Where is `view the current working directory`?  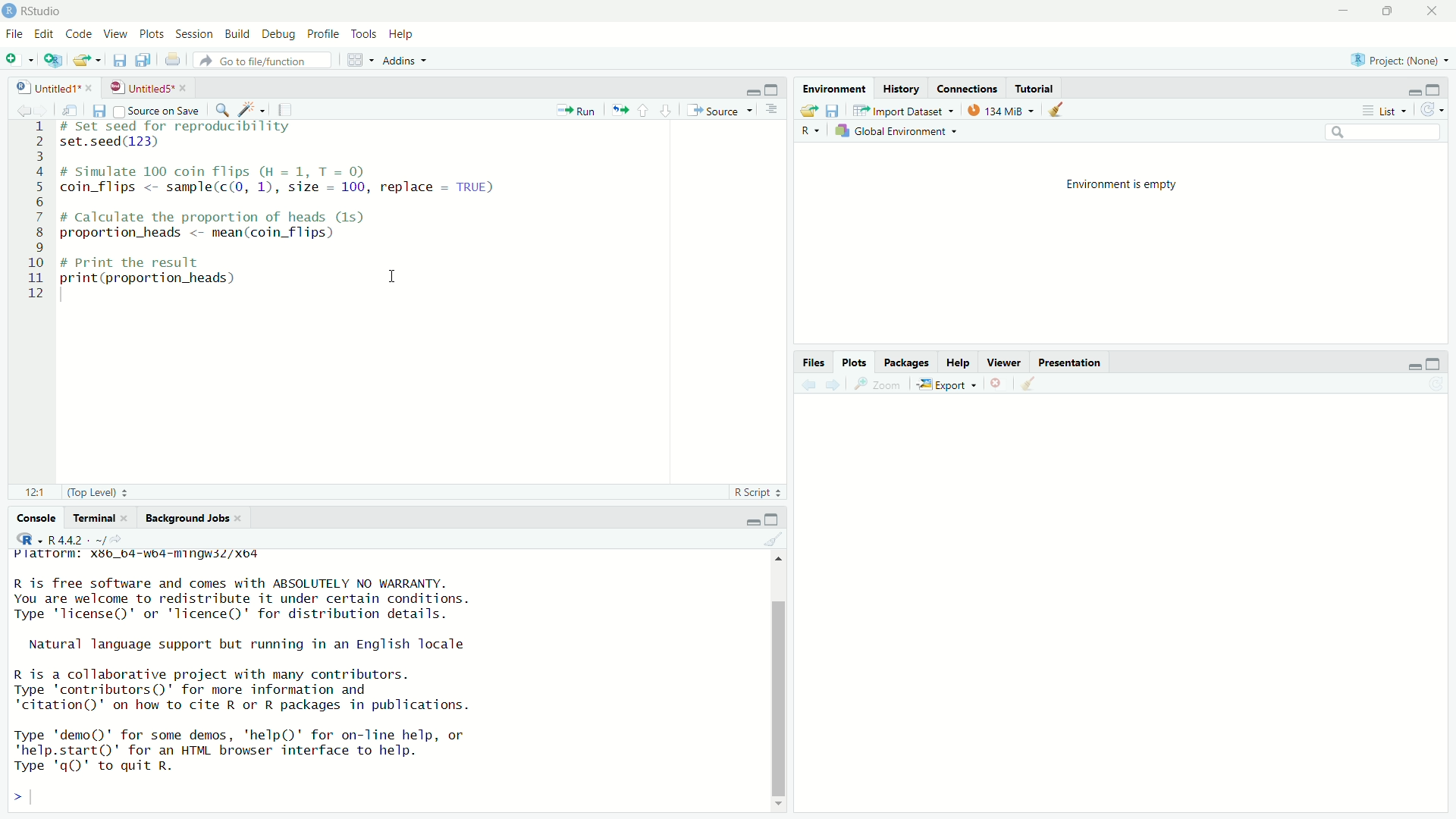 view the current working directory is located at coordinates (129, 540).